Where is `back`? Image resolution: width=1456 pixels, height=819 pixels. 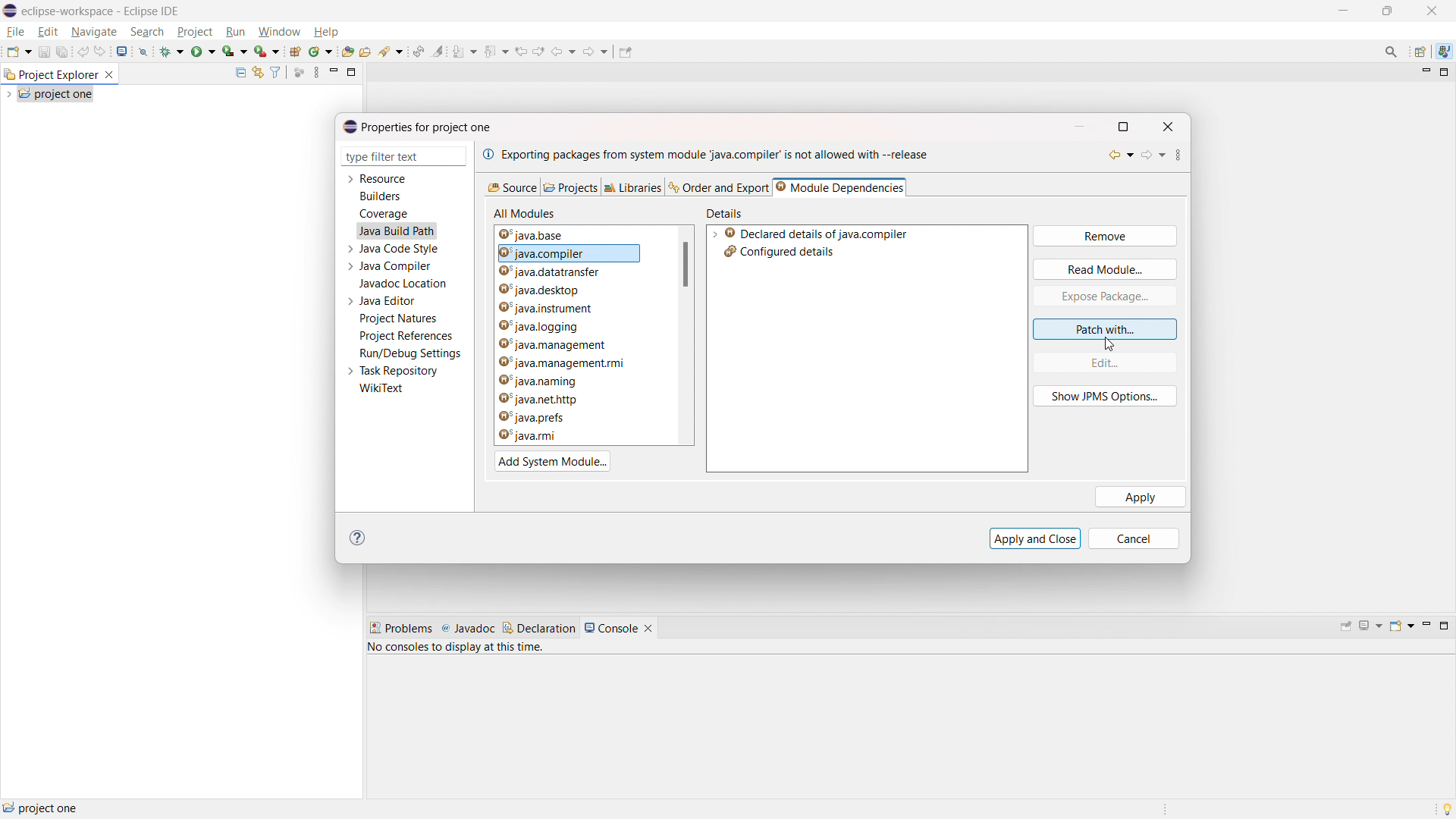 back is located at coordinates (563, 50).